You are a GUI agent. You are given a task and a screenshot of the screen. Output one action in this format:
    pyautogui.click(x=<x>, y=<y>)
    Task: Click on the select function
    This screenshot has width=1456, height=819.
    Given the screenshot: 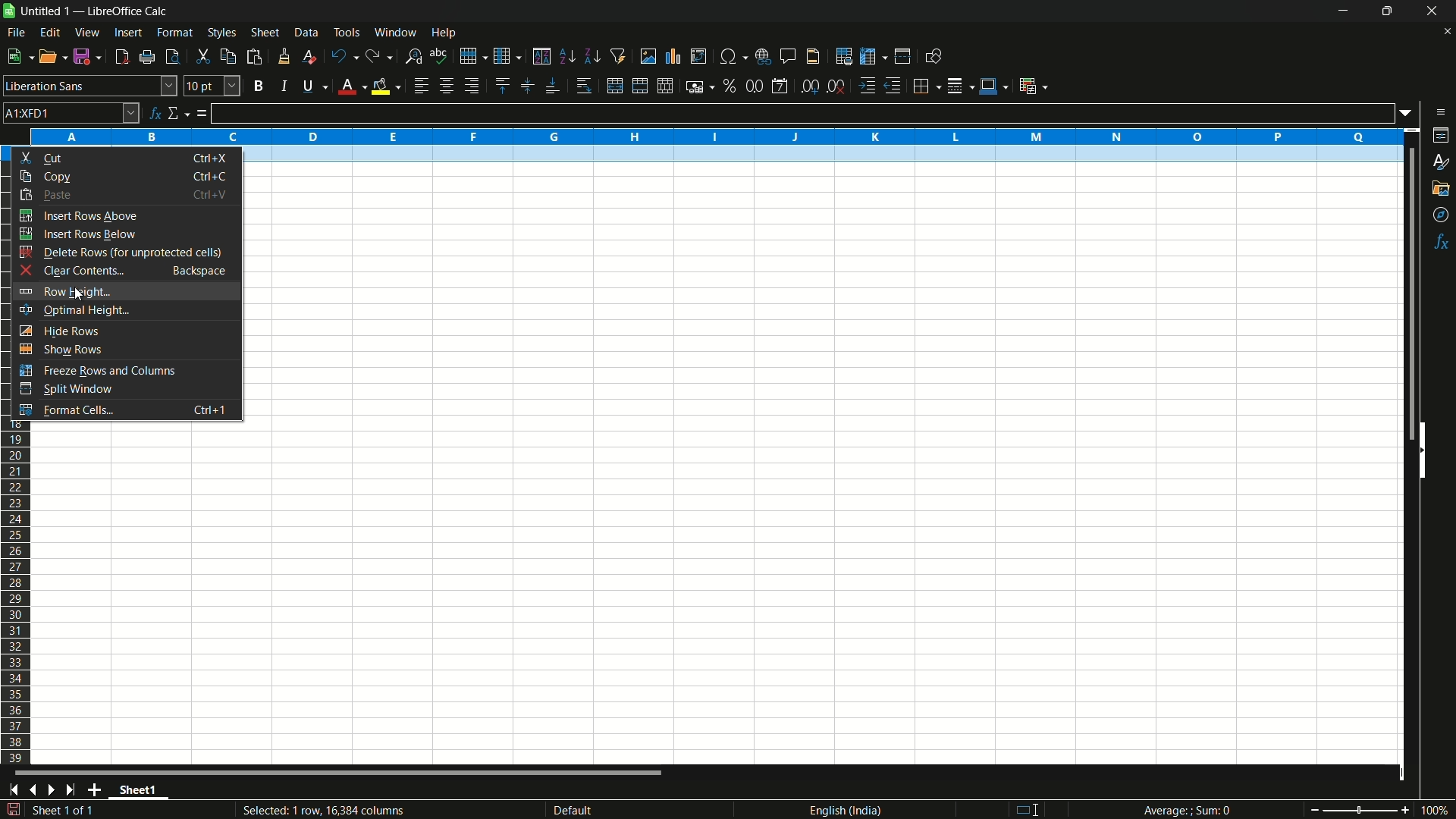 What is the action you would take?
    pyautogui.click(x=178, y=114)
    